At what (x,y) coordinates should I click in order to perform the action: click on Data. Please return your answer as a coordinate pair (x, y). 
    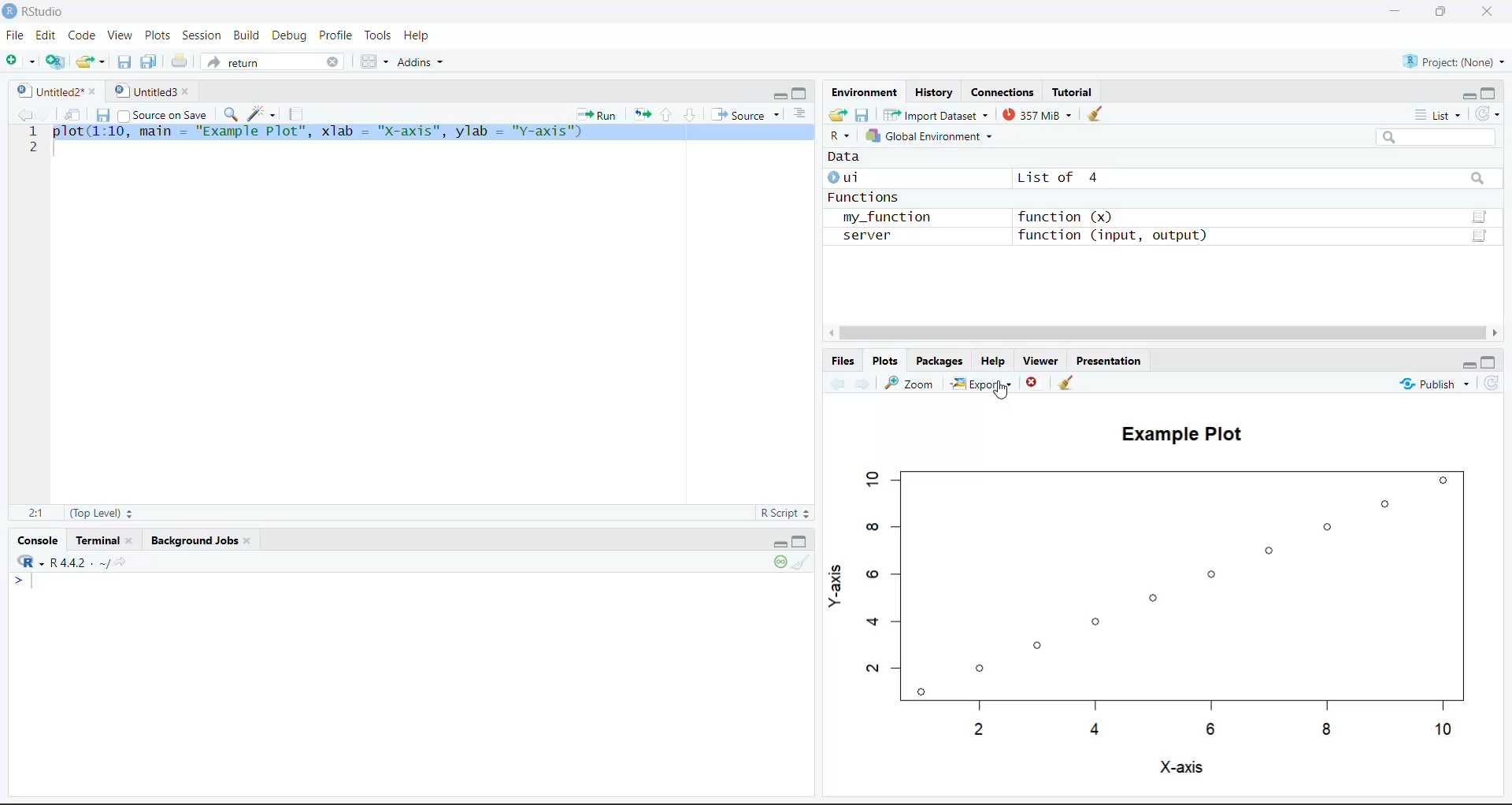
    Looking at the image, I should click on (846, 158).